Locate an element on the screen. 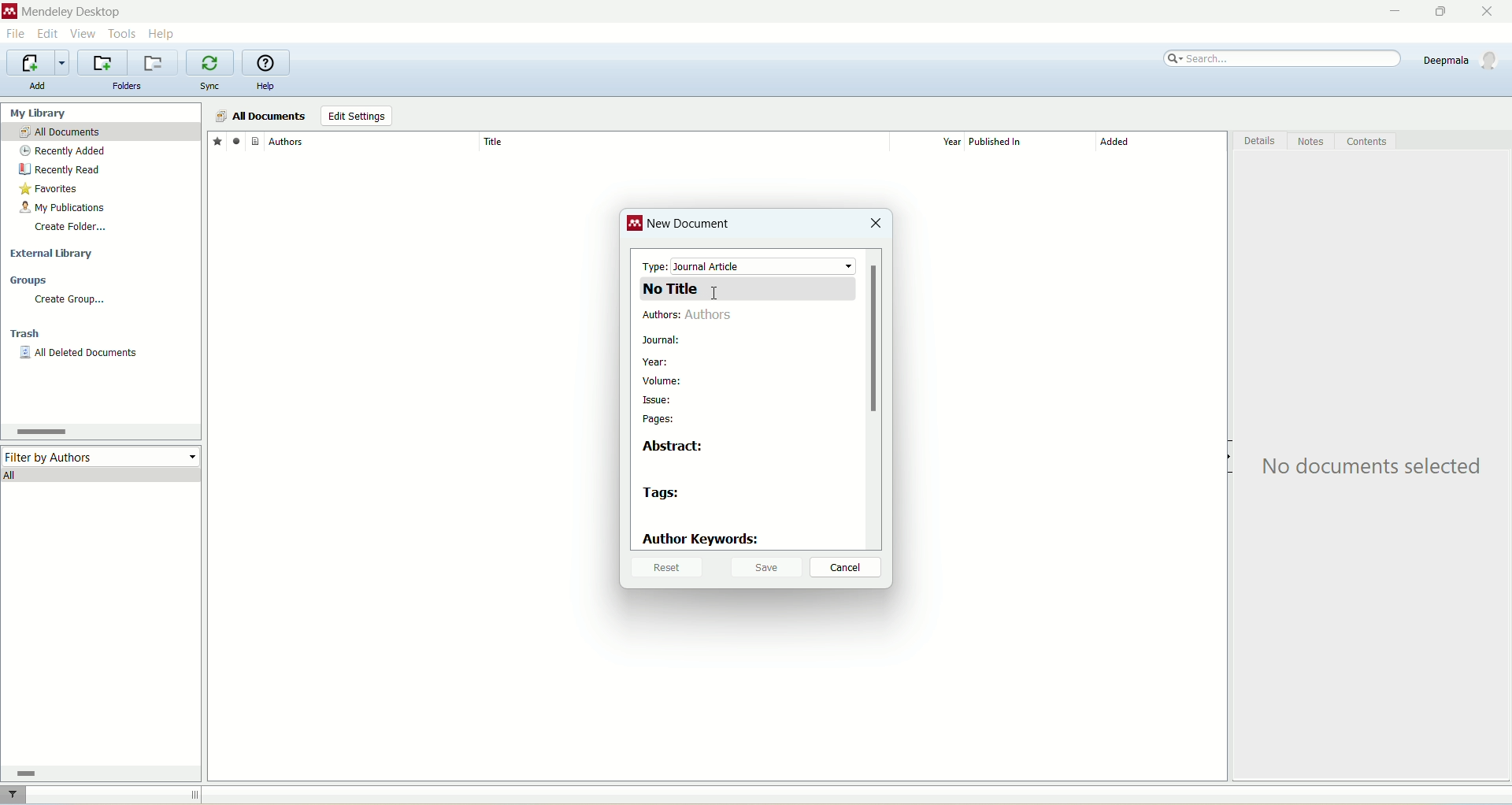 The width and height of the screenshot is (1512, 805). cursor is located at coordinates (715, 295).